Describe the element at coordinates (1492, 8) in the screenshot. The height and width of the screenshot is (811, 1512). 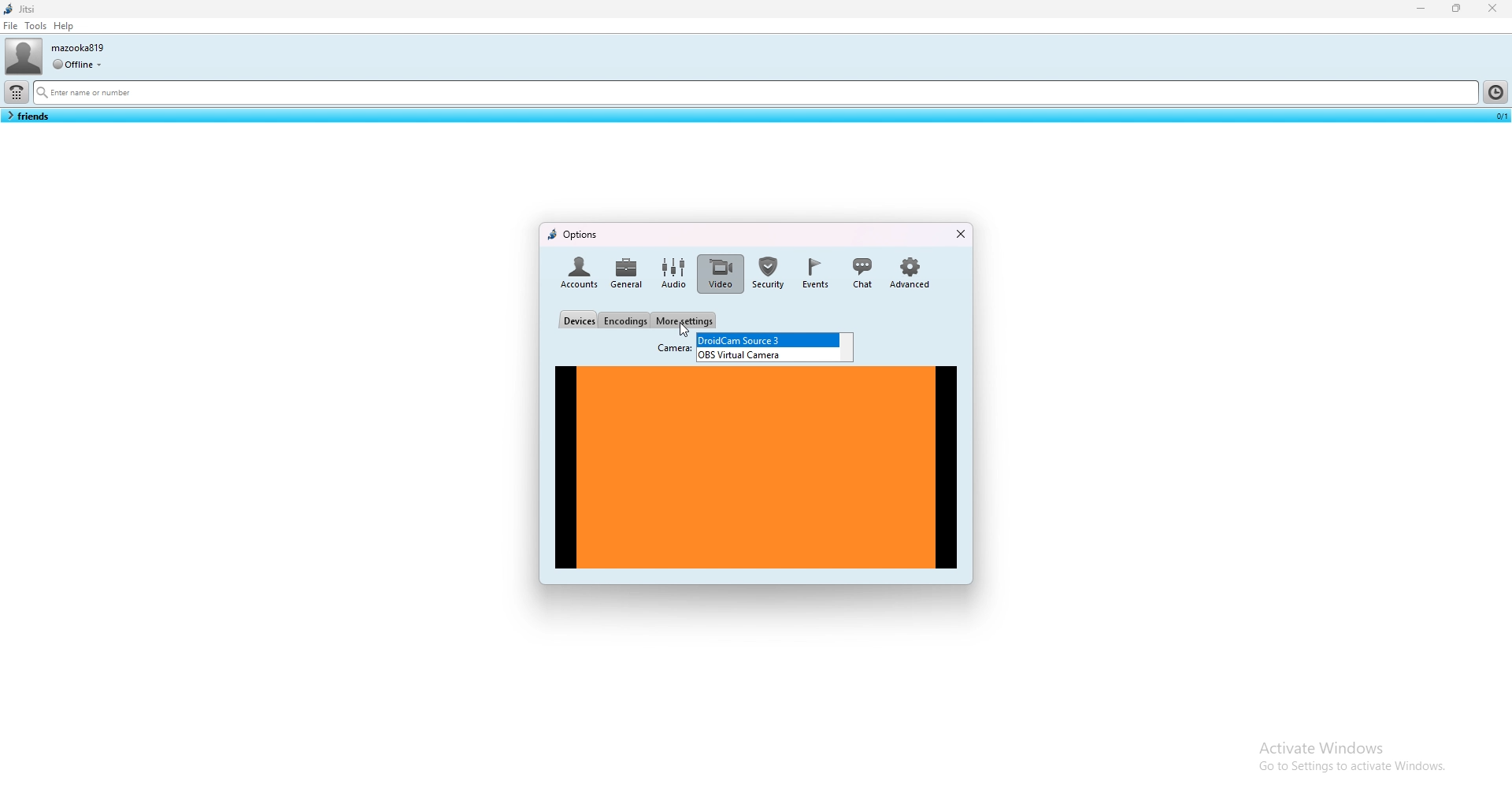
I see `close` at that location.